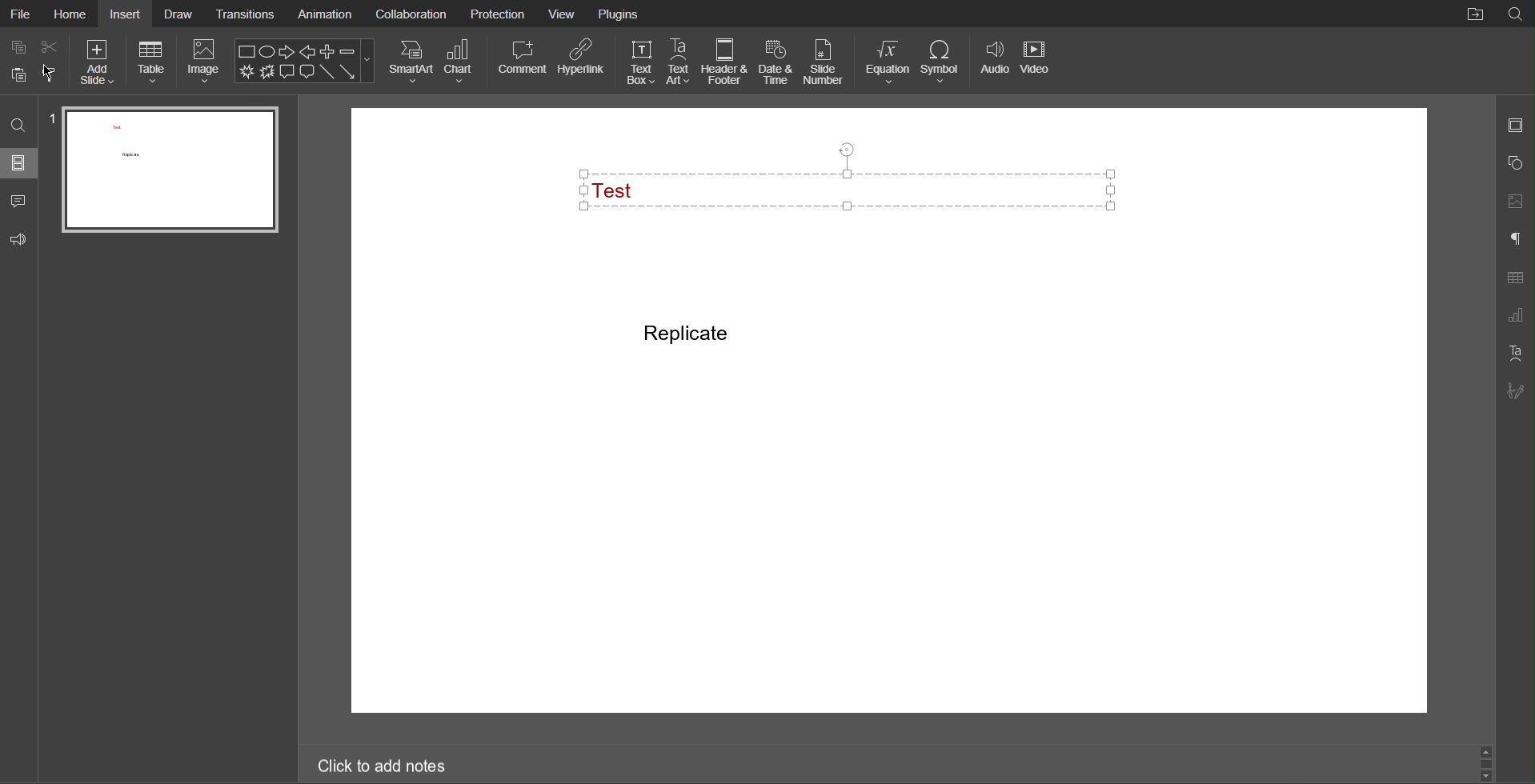  I want to click on File Location, so click(1473, 15).